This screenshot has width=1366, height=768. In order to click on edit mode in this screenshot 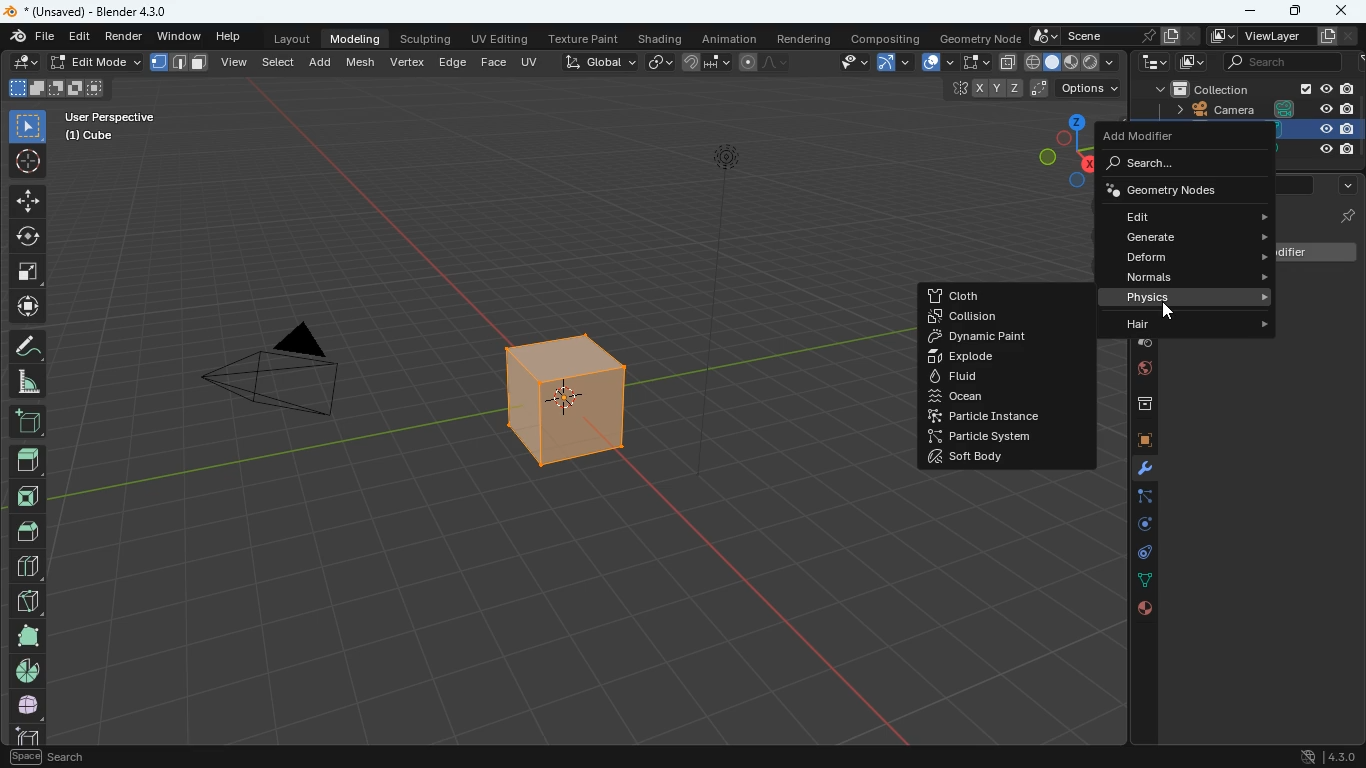, I will do `click(93, 63)`.